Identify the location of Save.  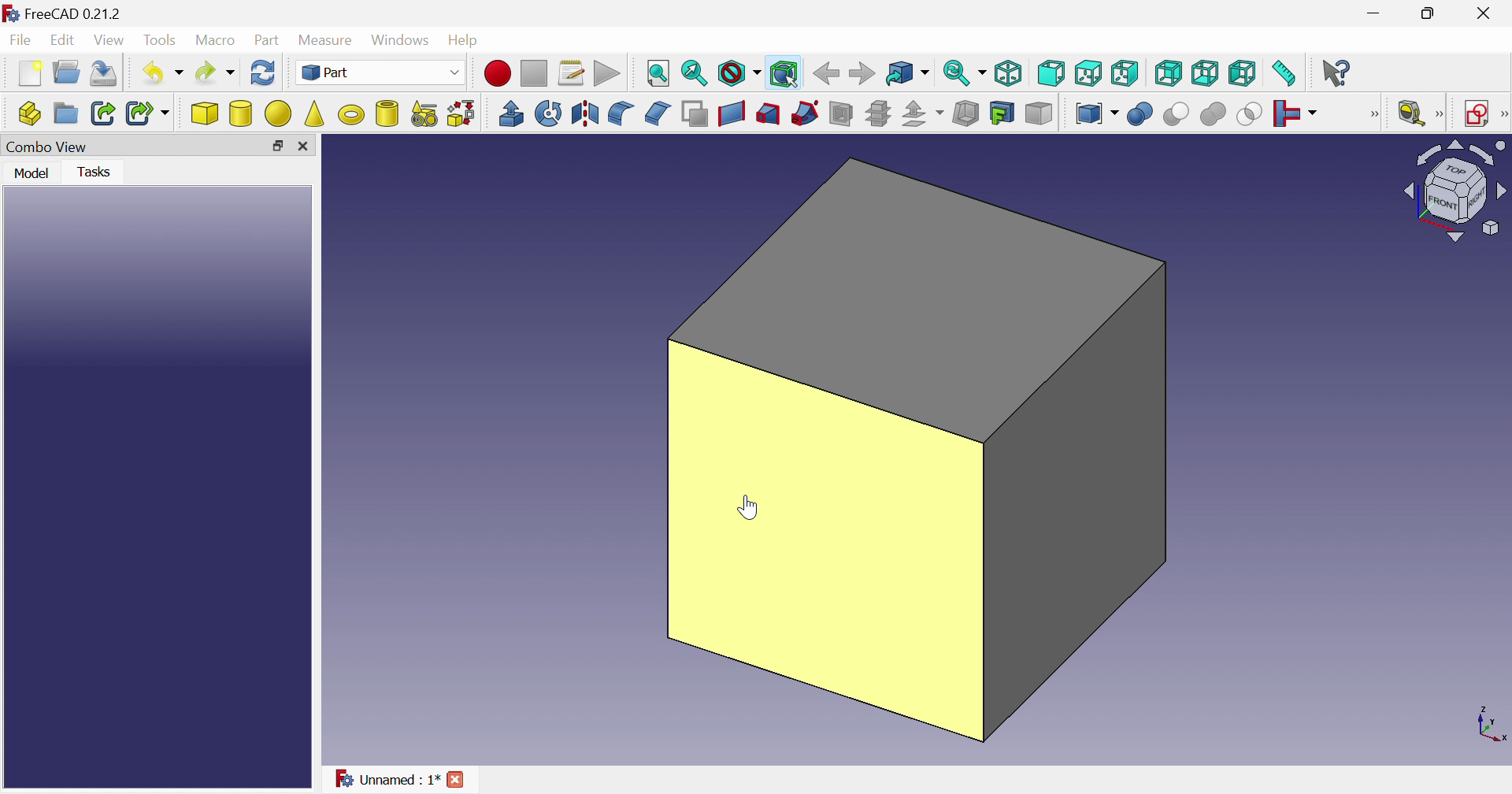
(105, 74).